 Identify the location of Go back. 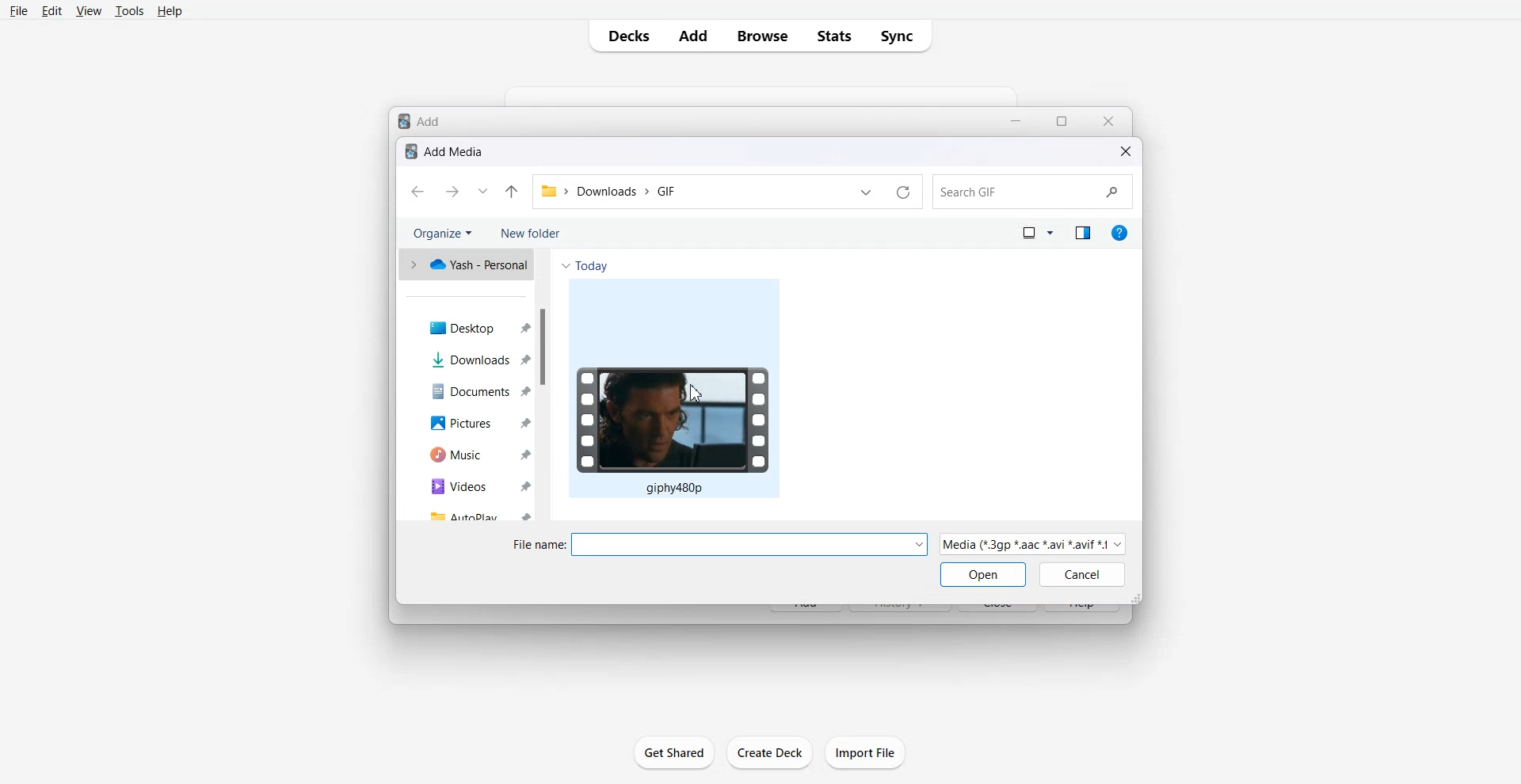
(417, 192).